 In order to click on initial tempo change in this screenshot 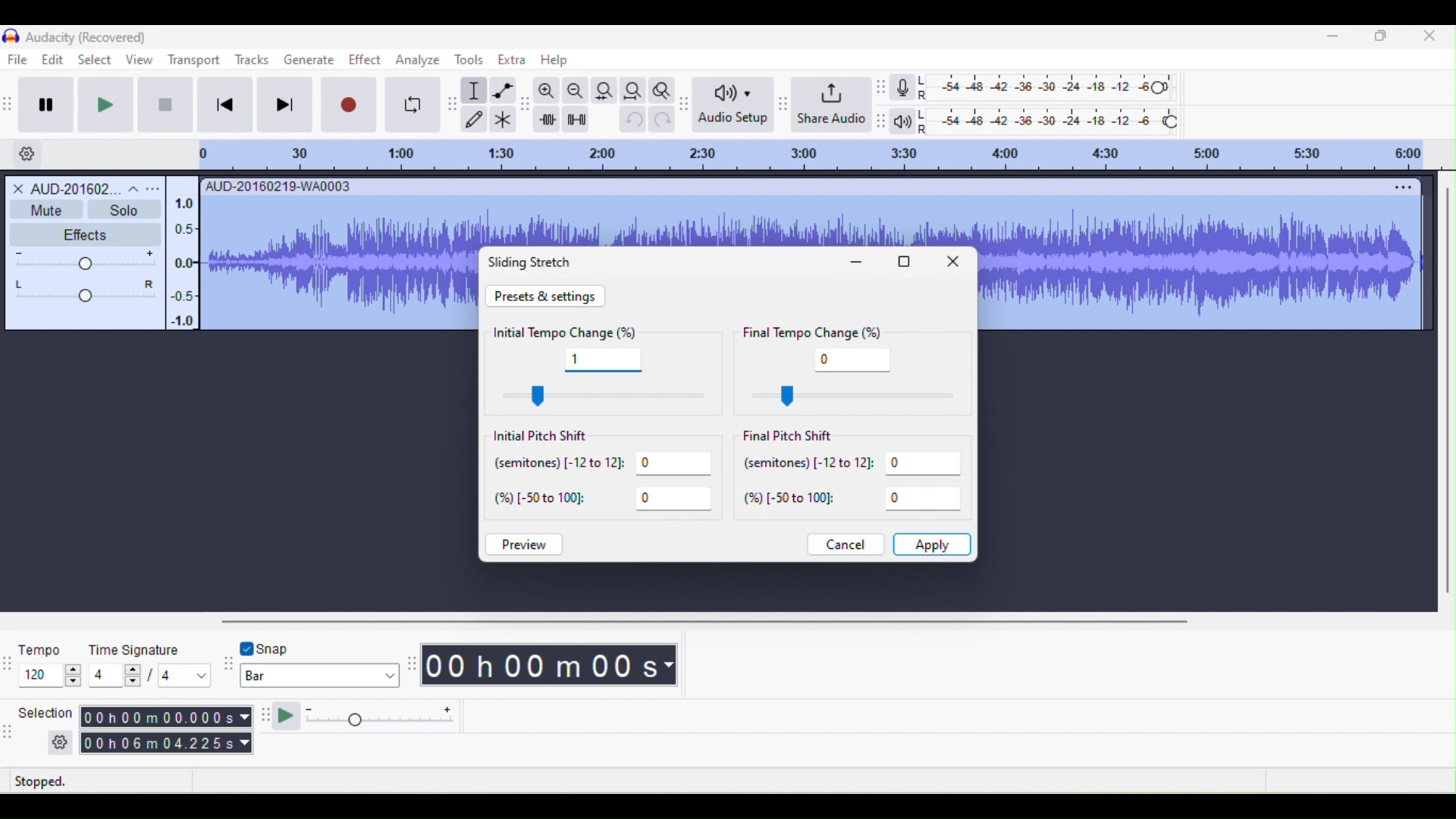, I will do `click(567, 331)`.